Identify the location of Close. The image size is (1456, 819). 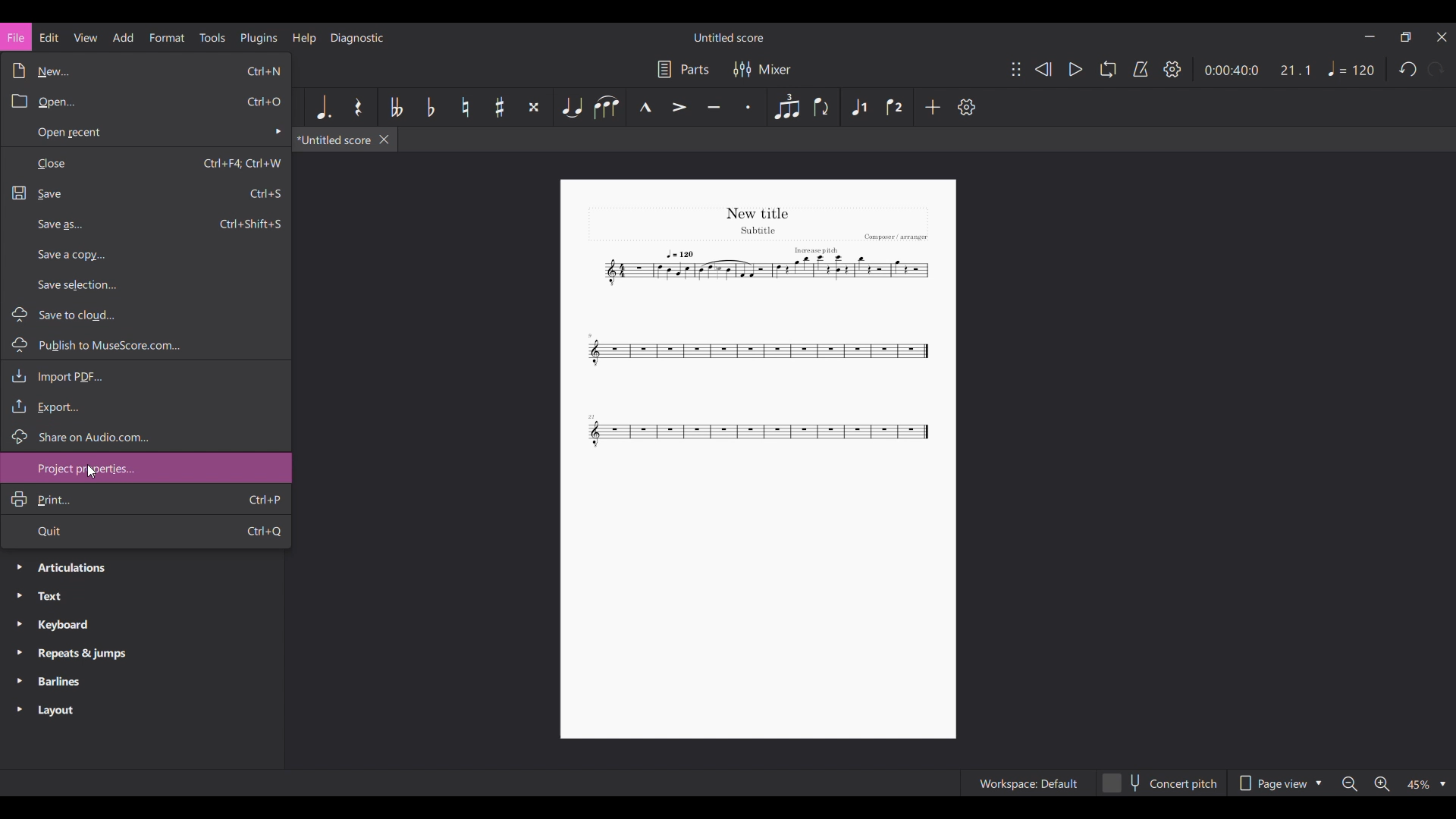
(146, 163).